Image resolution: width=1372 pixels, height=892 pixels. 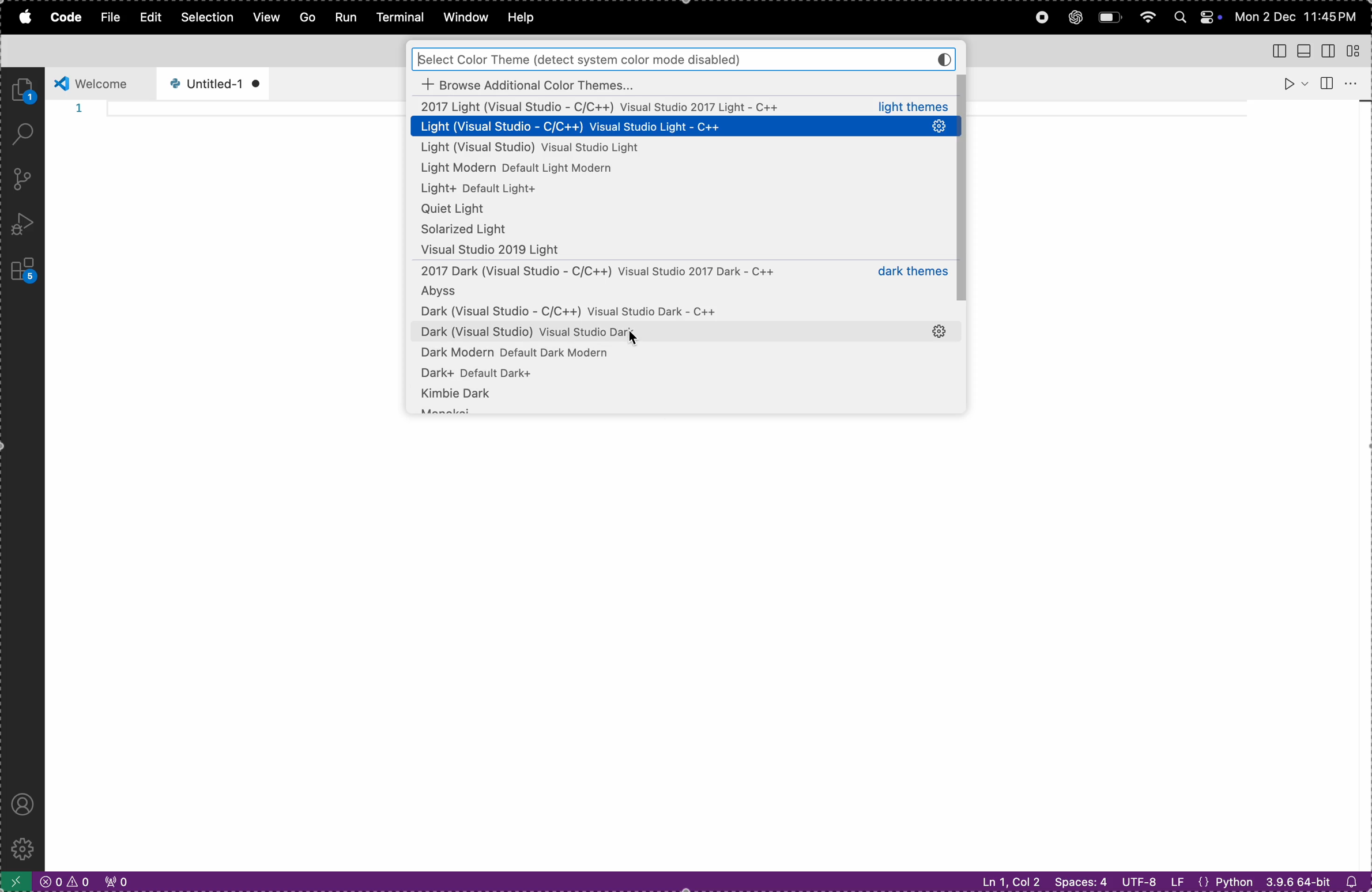 I want to click on abyss, so click(x=679, y=294).